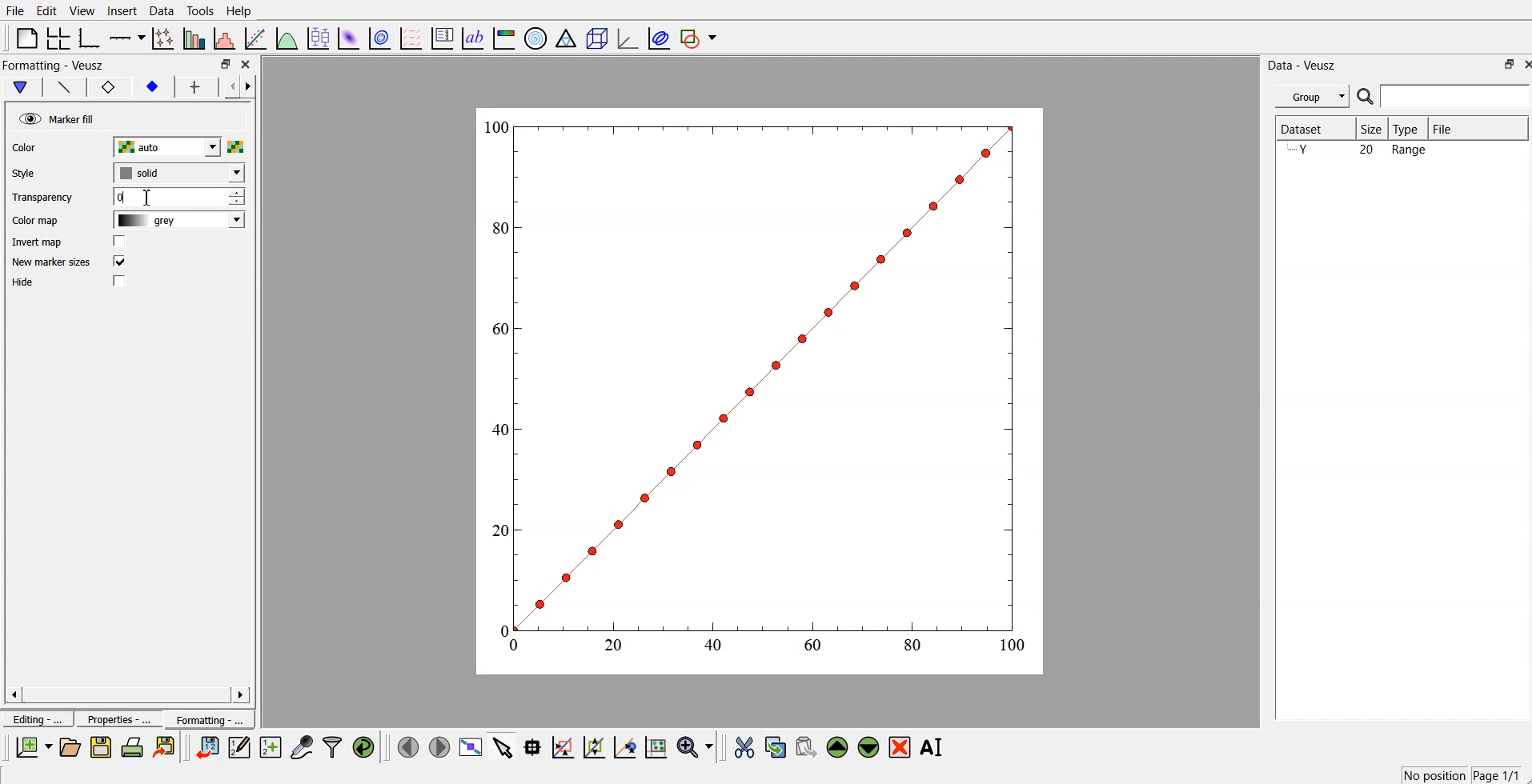 The image size is (1532, 784). What do you see at coordinates (50, 263) in the screenshot?
I see `| New marker sizes` at bounding box center [50, 263].